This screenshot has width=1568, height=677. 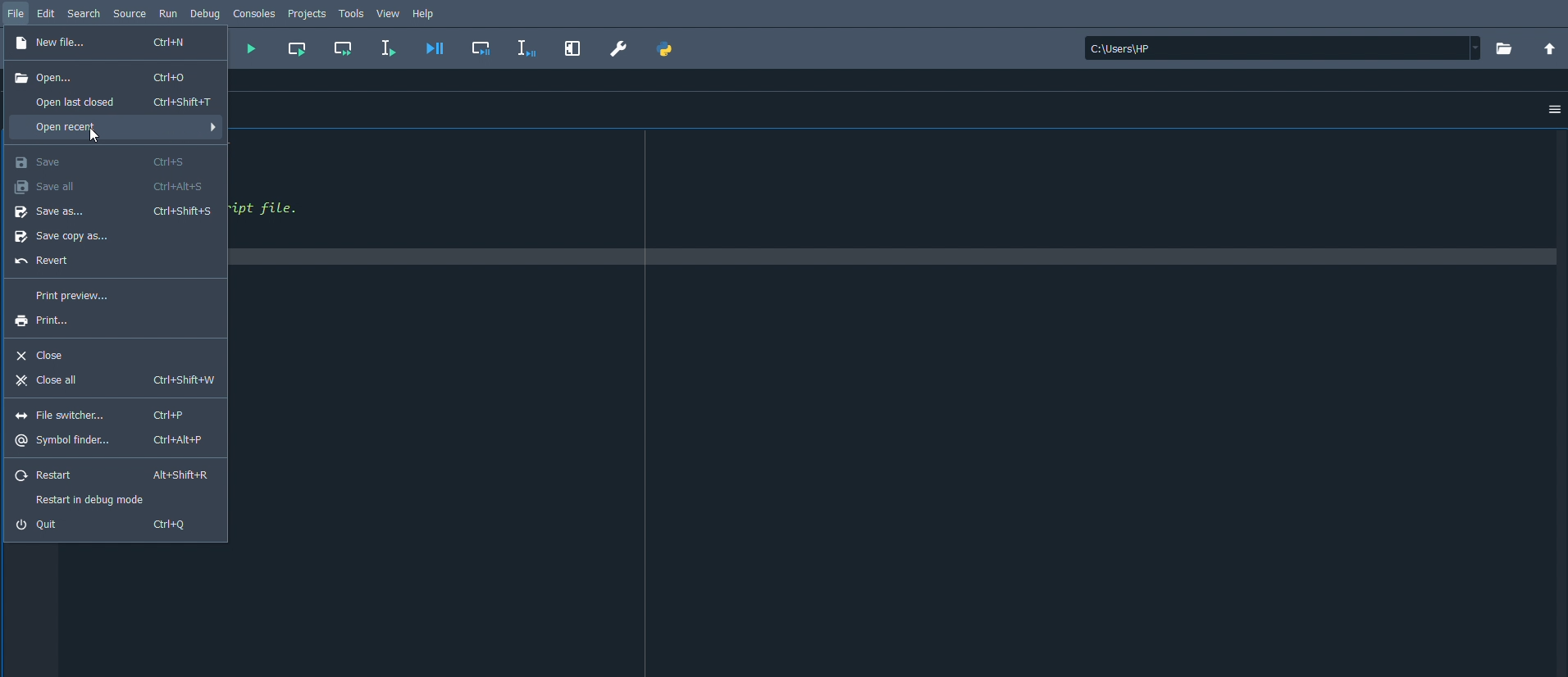 What do you see at coordinates (109, 184) in the screenshot?
I see `Save all` at bounding box center [109, 184].